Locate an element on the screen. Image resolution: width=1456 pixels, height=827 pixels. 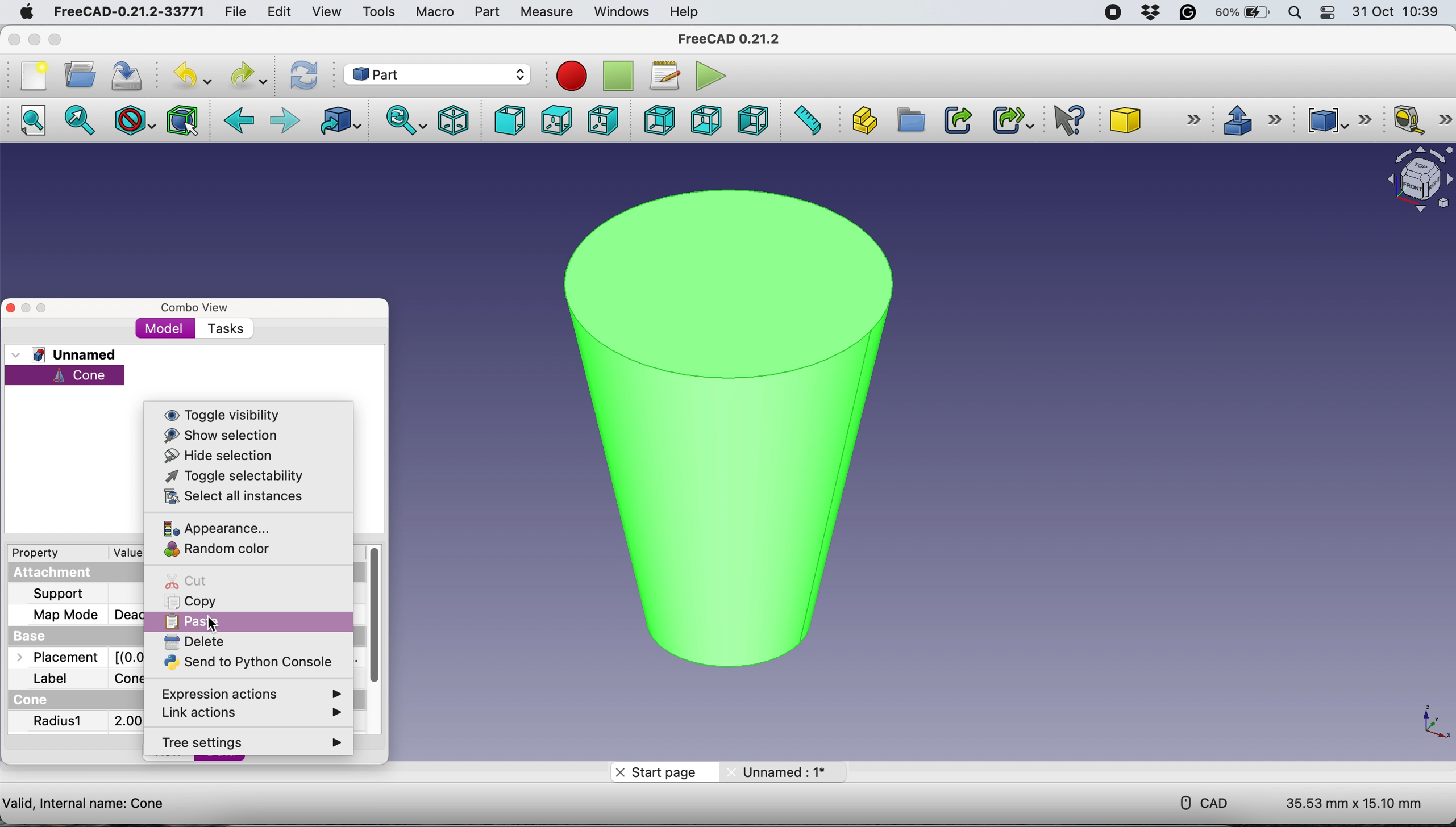
cone is located at coordinates (35, 700).